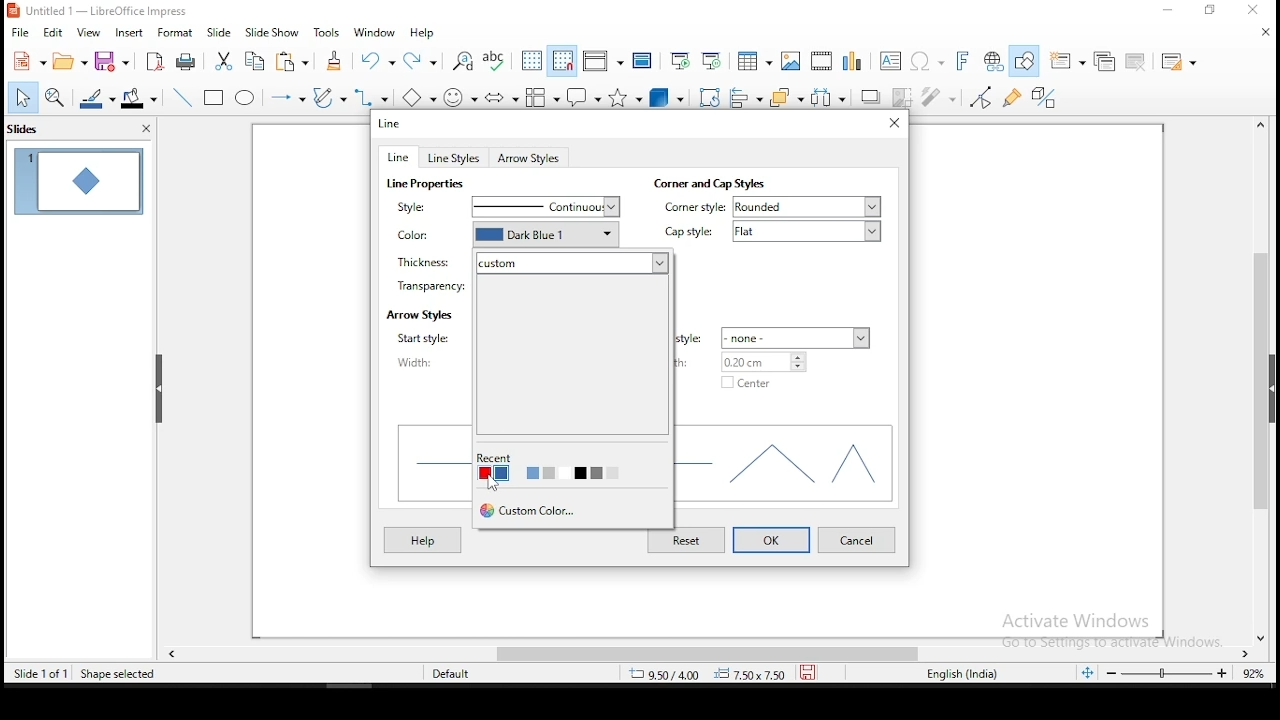 The image size is (1280, 720). What do you see at coordinates (296, 63) in the screenshot?
I see `paste` at bounding box center [296, 63].